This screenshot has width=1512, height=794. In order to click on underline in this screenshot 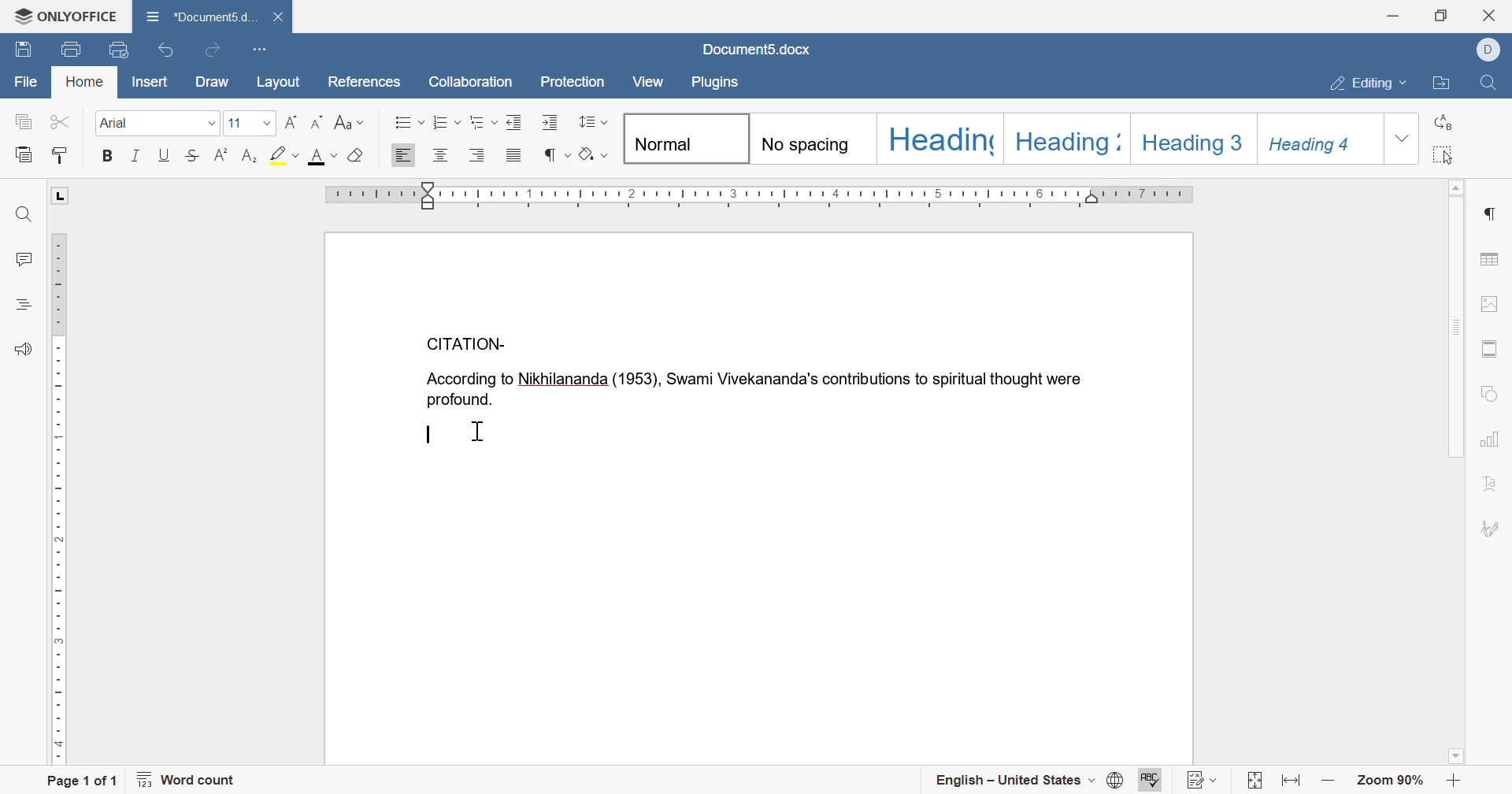, I will do `click(164, 154)`.